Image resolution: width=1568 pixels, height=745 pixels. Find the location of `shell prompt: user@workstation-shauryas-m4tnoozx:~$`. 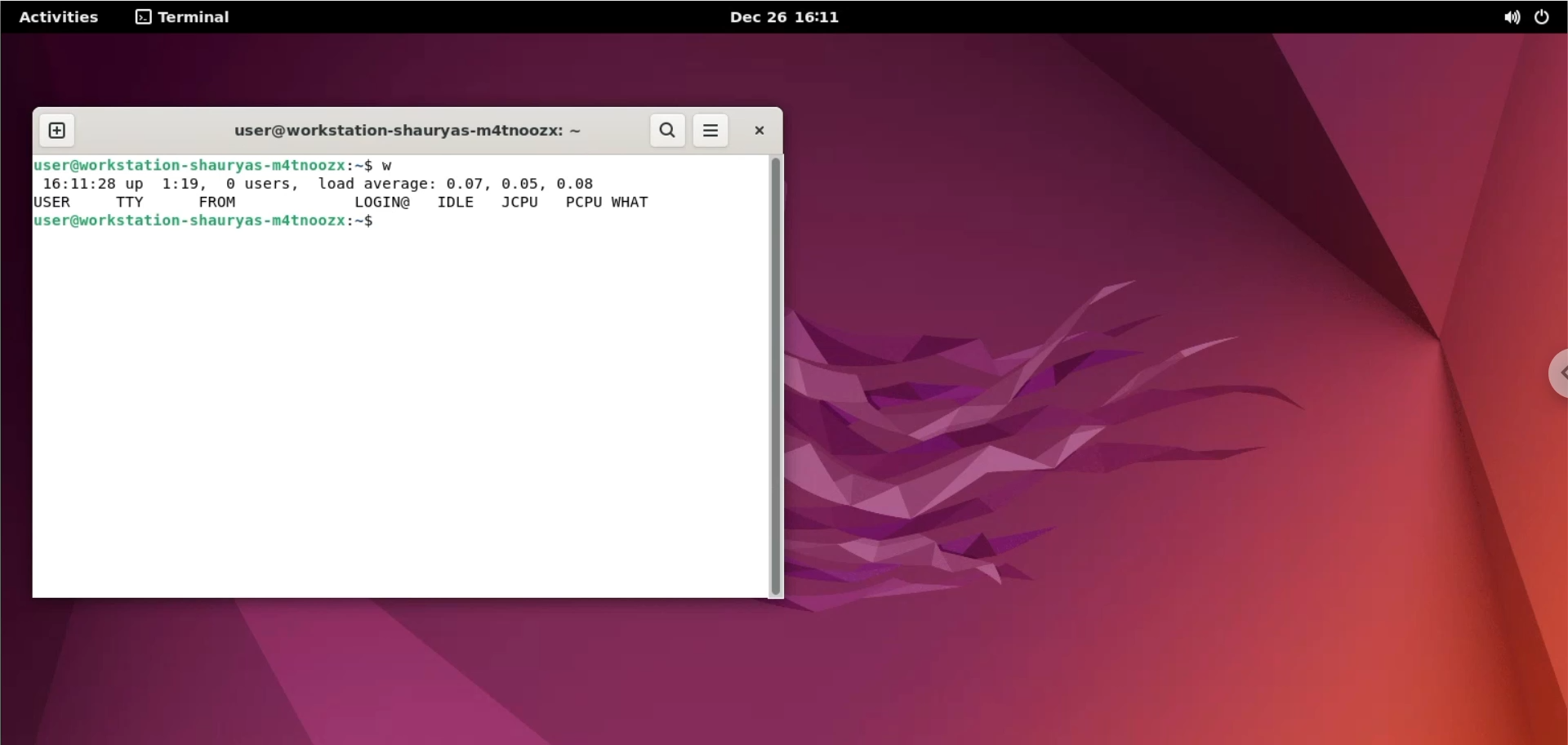

shell prompt: user@workstation-shauryas-m4tnoozx:~$ is located at coordinates (203, 167).